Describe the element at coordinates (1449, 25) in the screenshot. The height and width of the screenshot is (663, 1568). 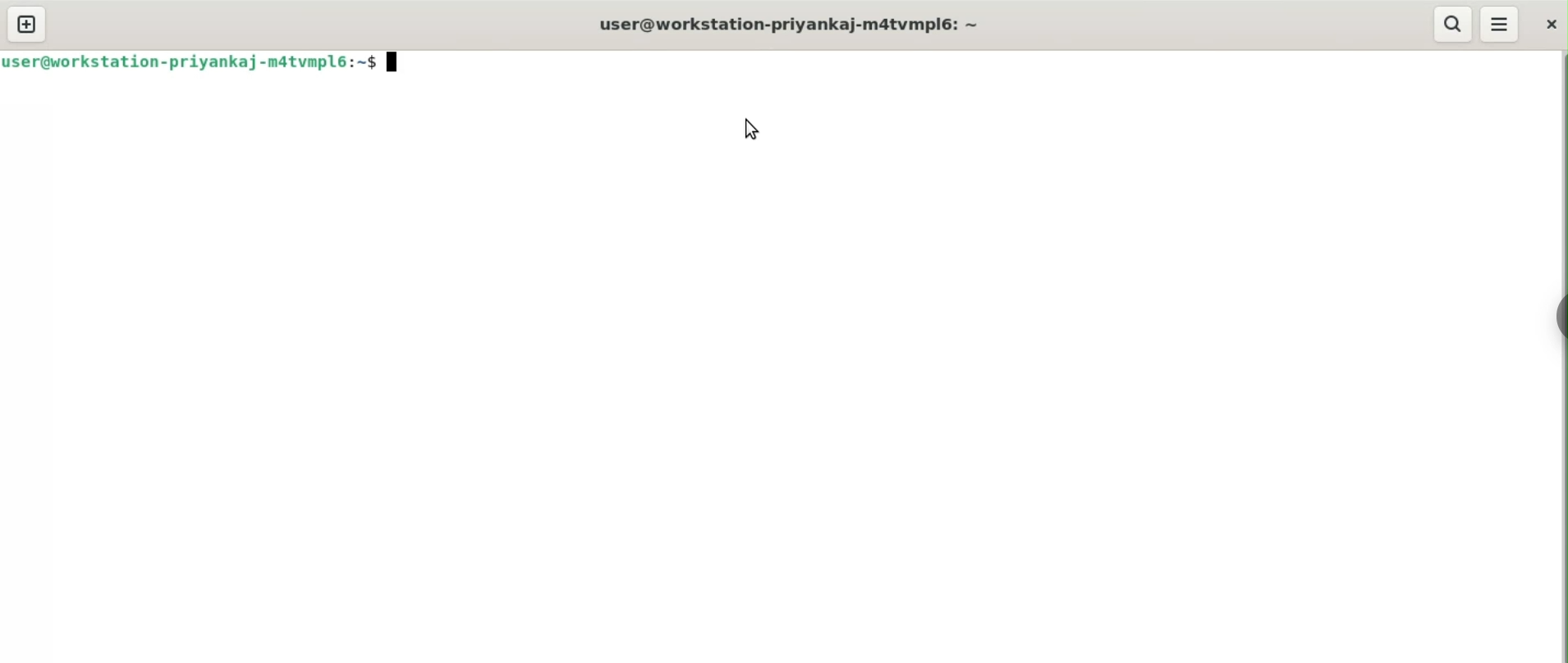
I see `search` at that location.